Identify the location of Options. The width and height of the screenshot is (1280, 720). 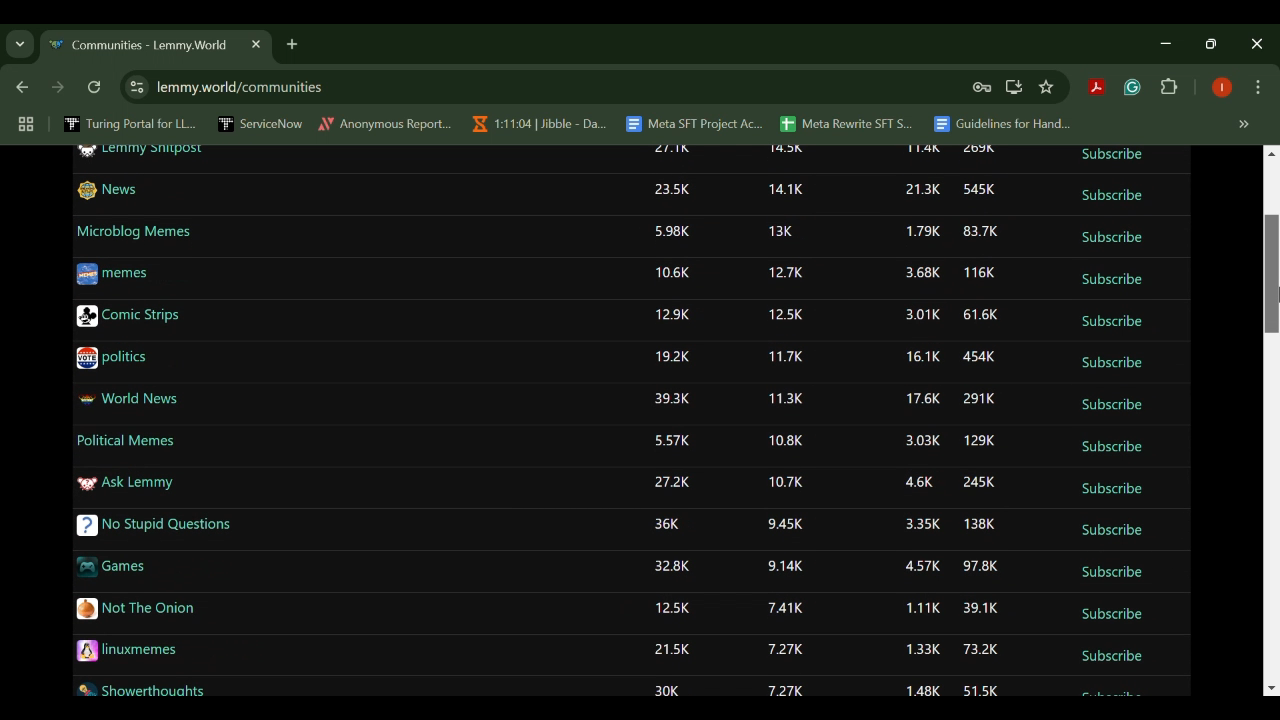
(1258, 89).